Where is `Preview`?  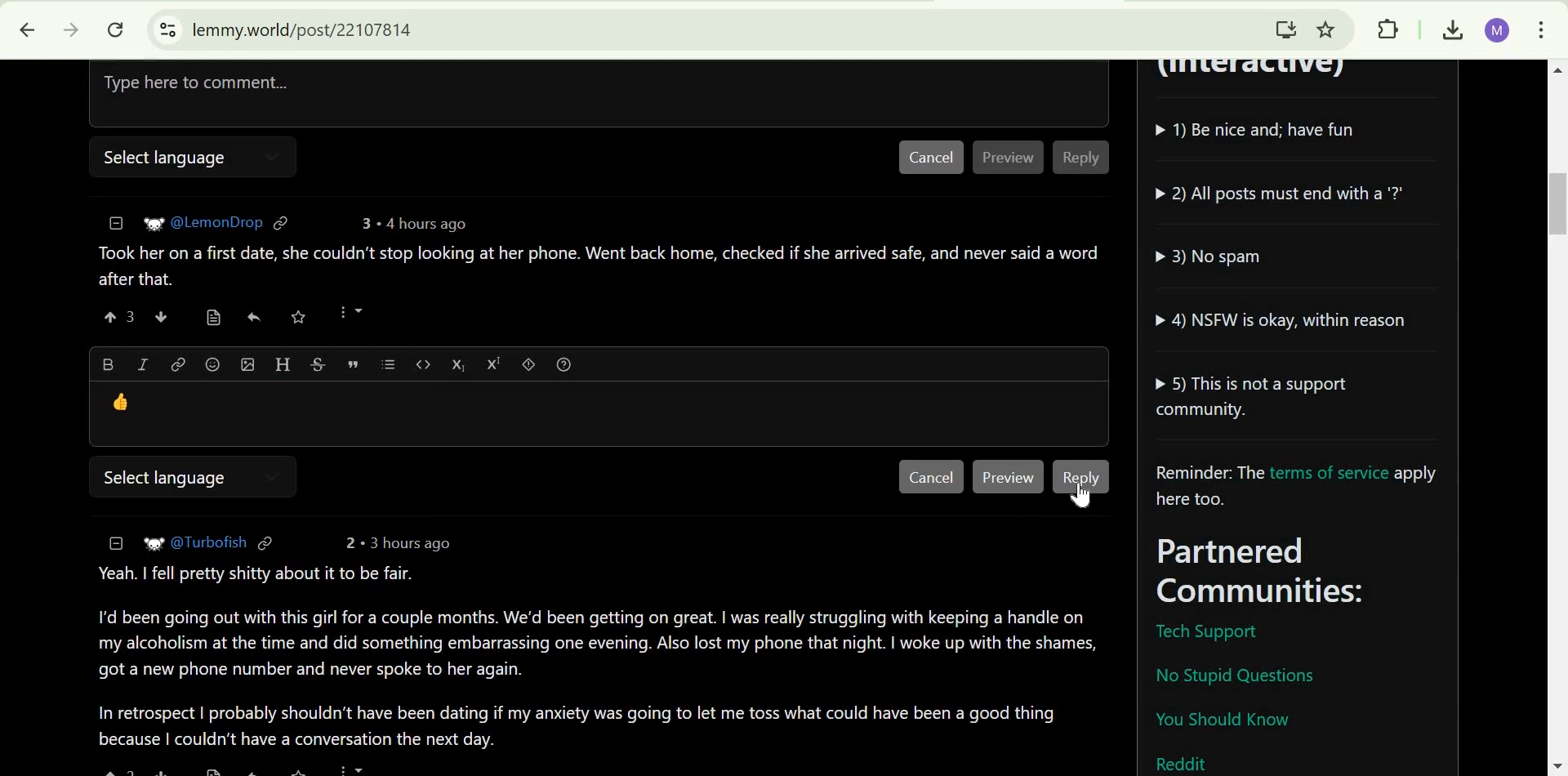
Preview is located at coordinates (1009, 476).